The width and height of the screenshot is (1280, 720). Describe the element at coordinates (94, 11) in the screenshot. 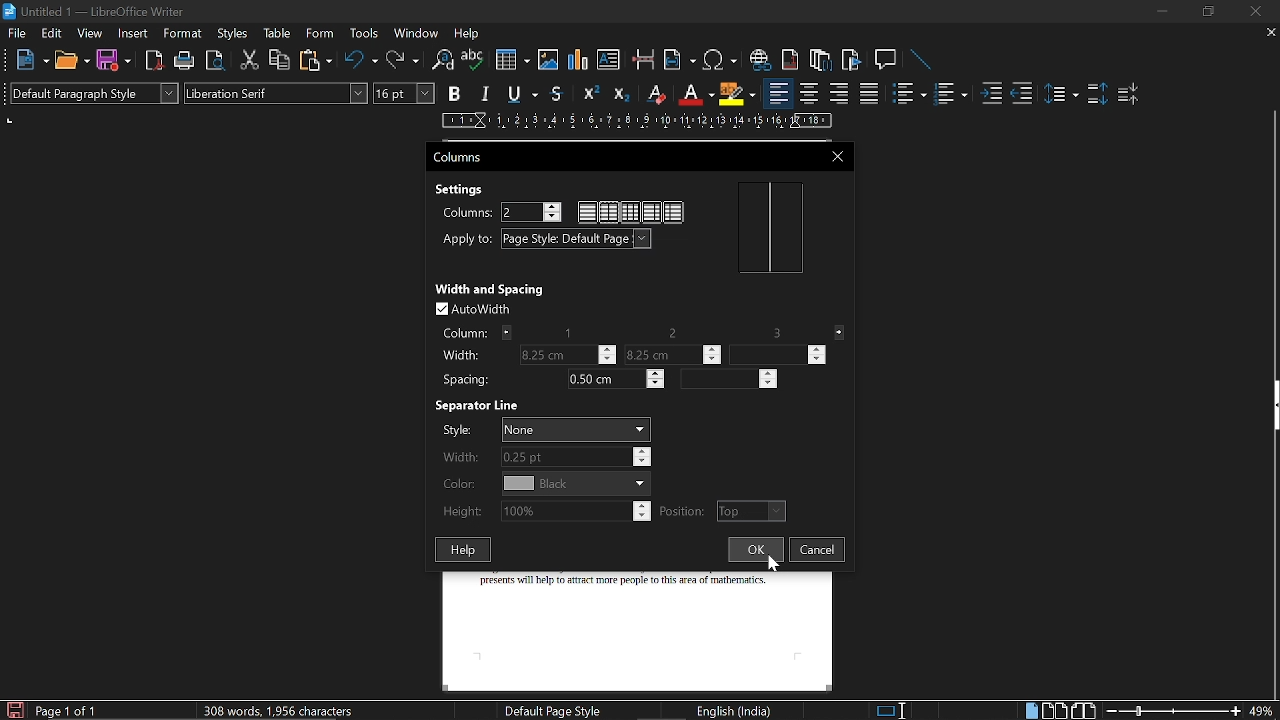

I see `Untitled 1 - LibreOffice Writer` at that location.